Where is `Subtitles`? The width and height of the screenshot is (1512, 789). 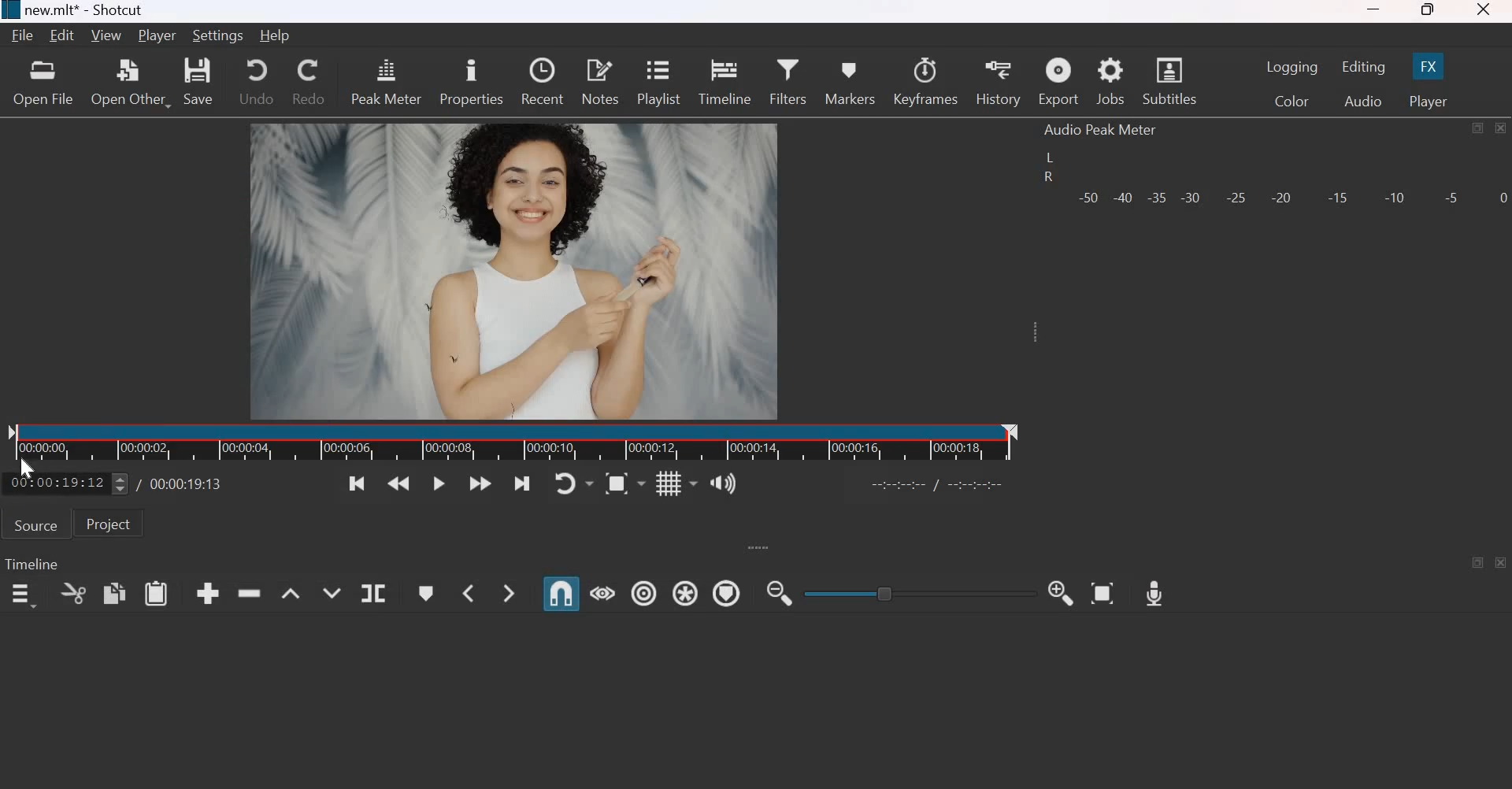 Subtitles is located at coordinates (1172, 80).